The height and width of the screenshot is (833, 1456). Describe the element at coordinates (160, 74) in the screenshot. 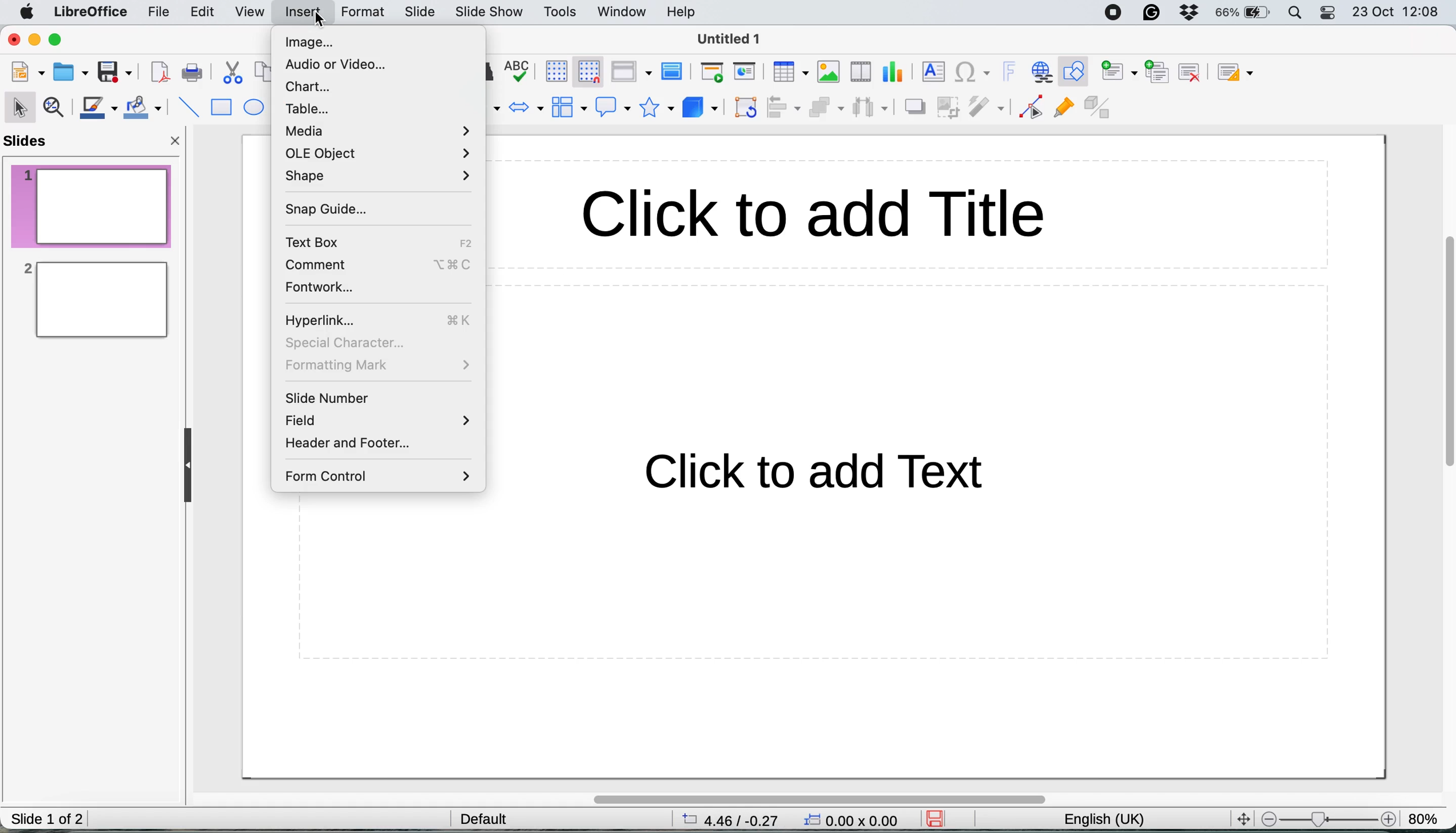

I see `export directly as pdf` at that location.